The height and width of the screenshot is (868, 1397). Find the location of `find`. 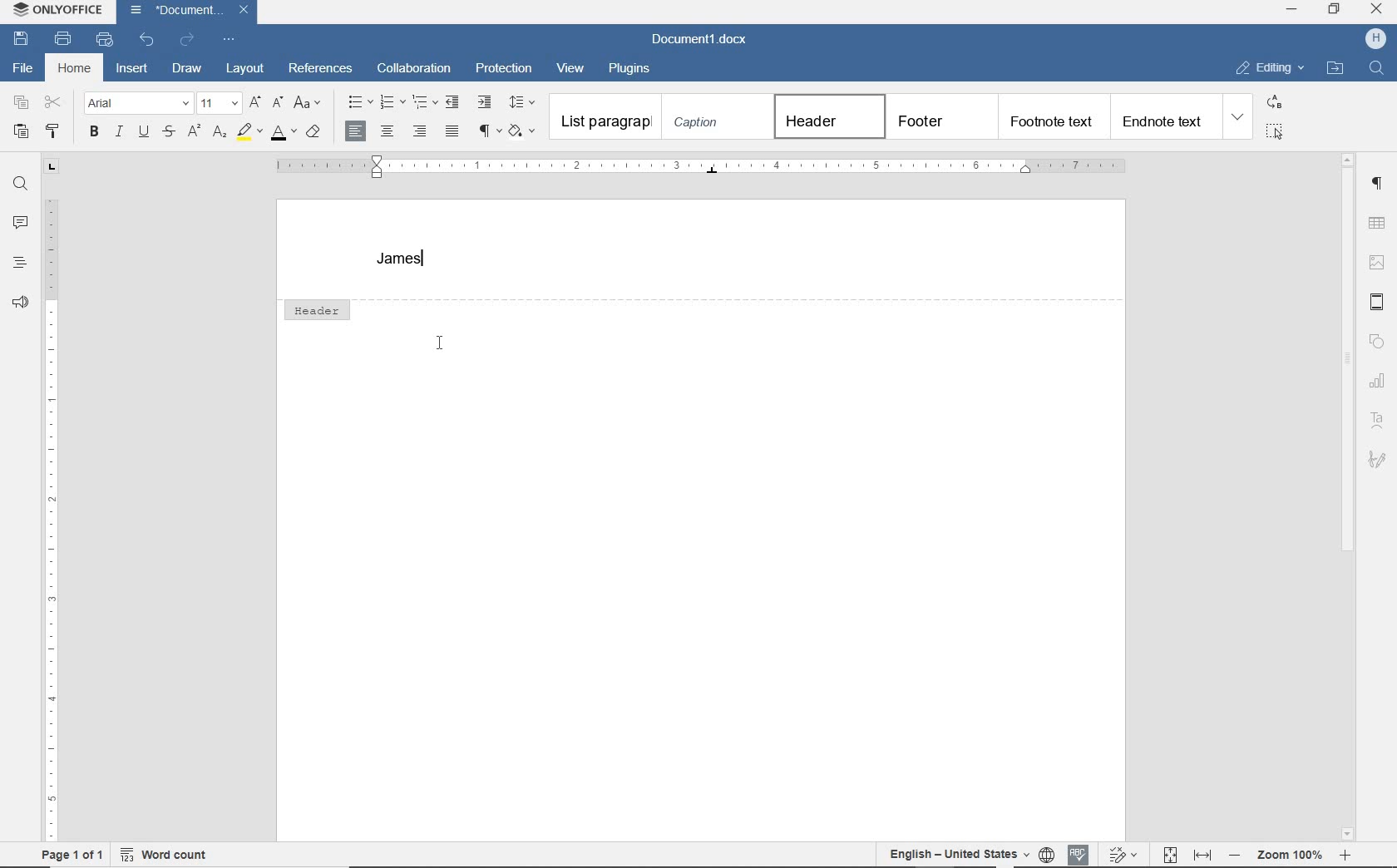

find is located at coordinates (18, 184).